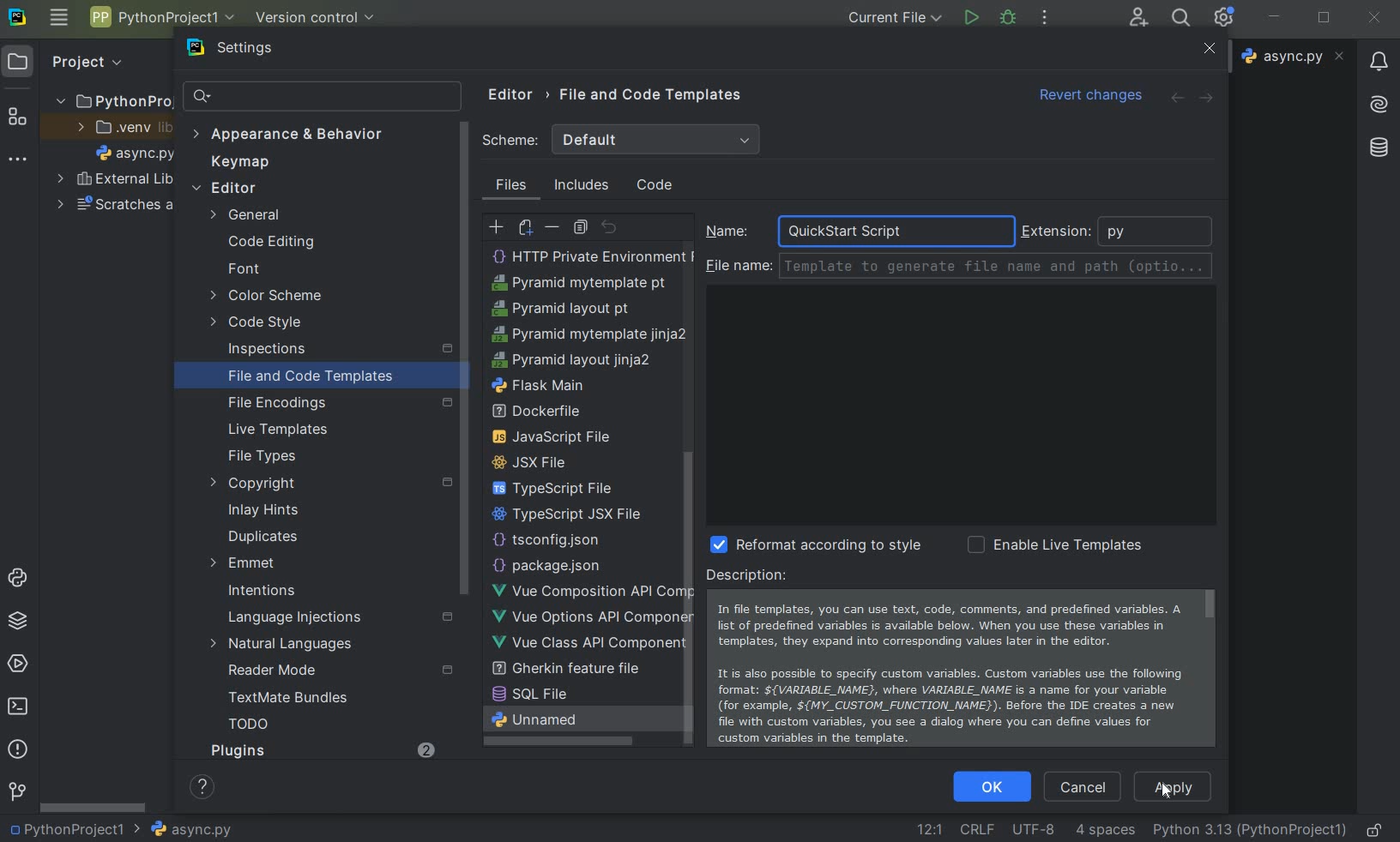  I want to click on minimize, so click(1274, 17).